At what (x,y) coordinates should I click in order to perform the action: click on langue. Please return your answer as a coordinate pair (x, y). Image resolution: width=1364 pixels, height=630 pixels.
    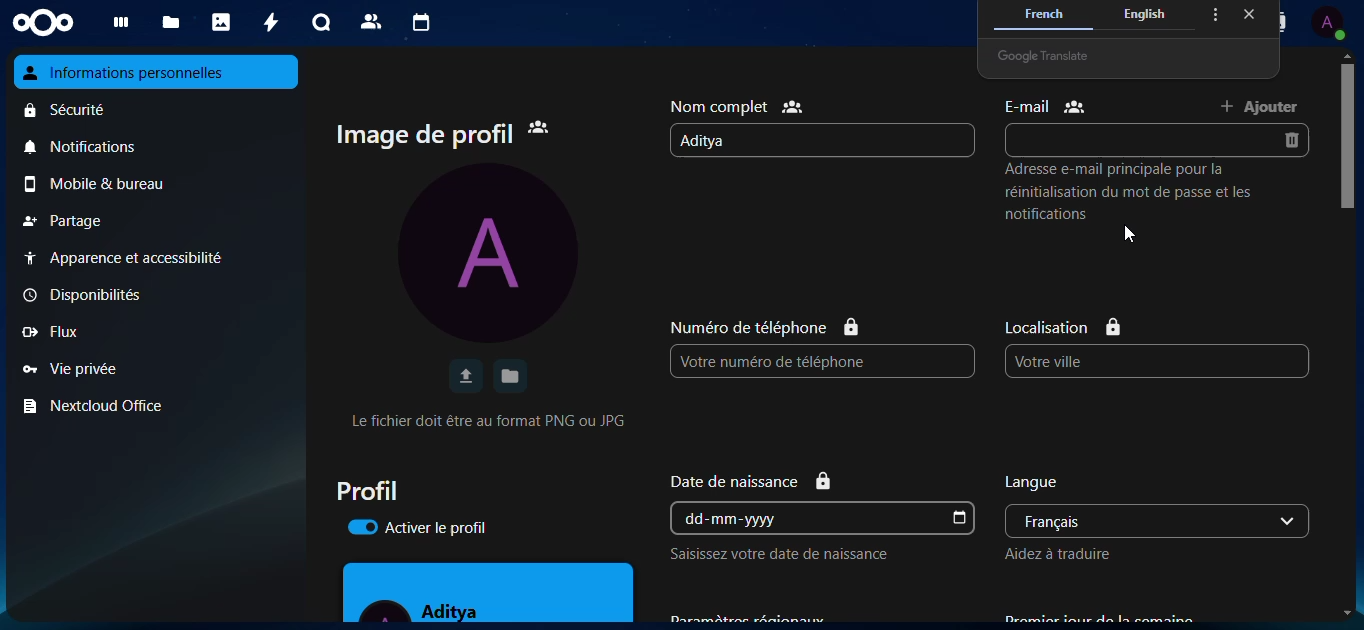
    Looking at the image, I should click on (1062, 480).